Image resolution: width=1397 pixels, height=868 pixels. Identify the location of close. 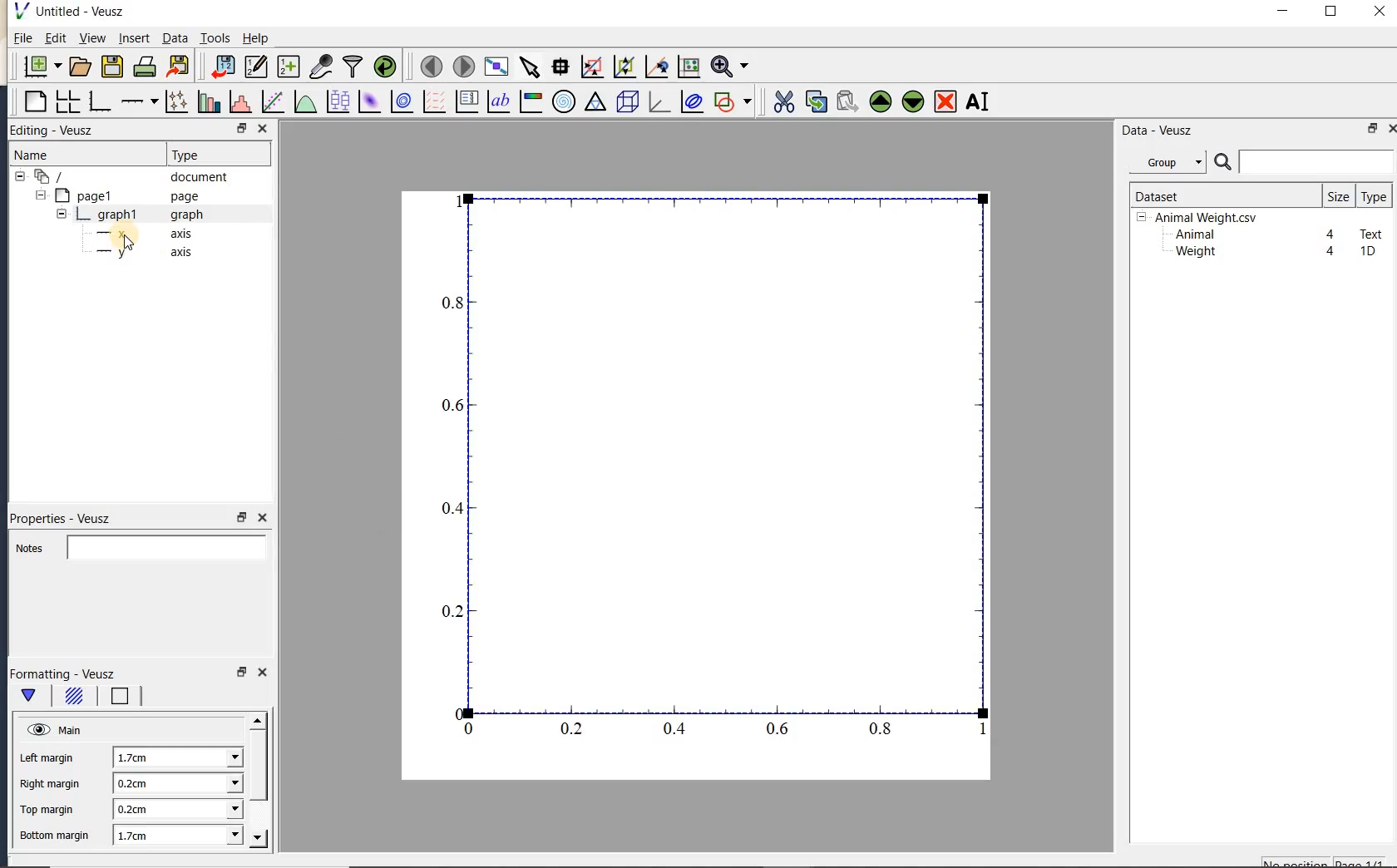
(262, 518).